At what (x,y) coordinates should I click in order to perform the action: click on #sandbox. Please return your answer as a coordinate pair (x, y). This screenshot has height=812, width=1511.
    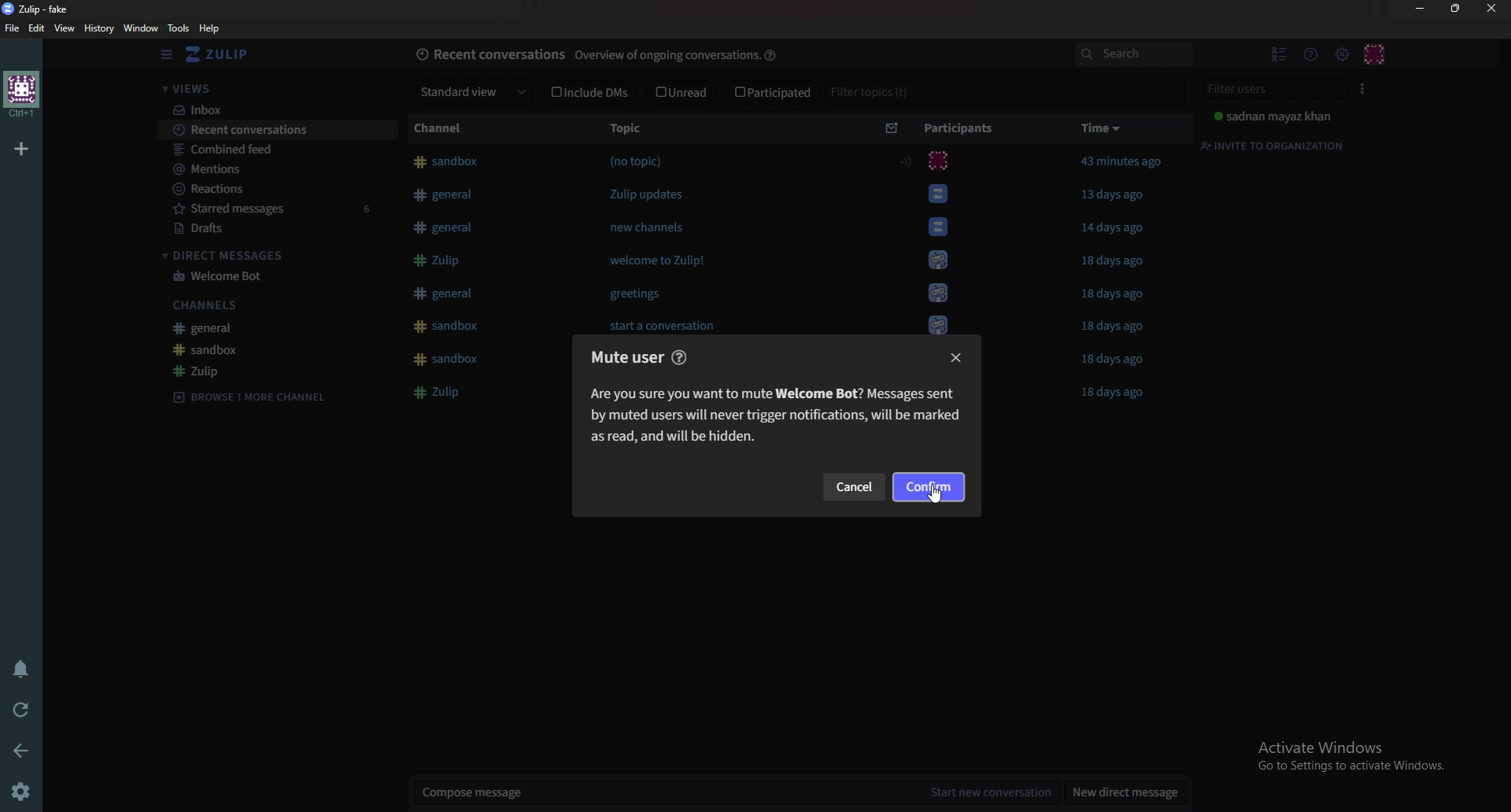
    Looking at the image, I should click on (447, 161).